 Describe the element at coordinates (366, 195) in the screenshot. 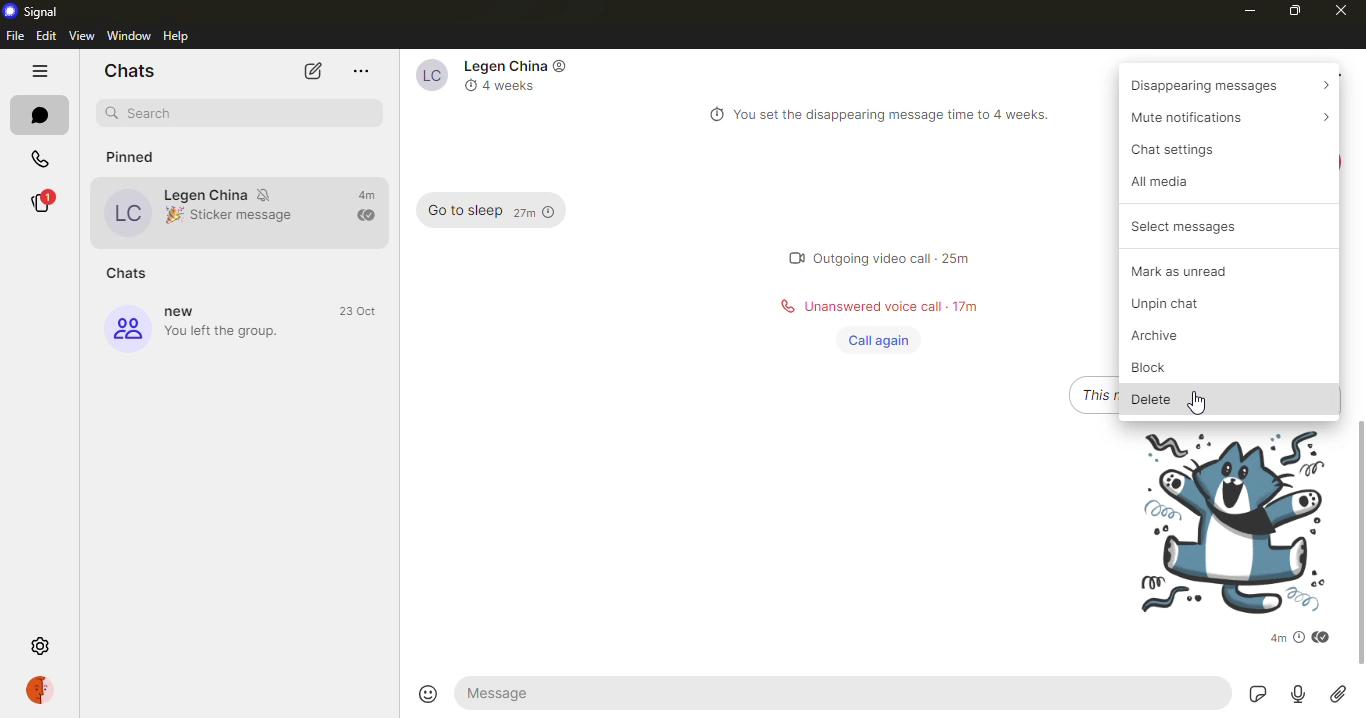

I see `time` at that location.